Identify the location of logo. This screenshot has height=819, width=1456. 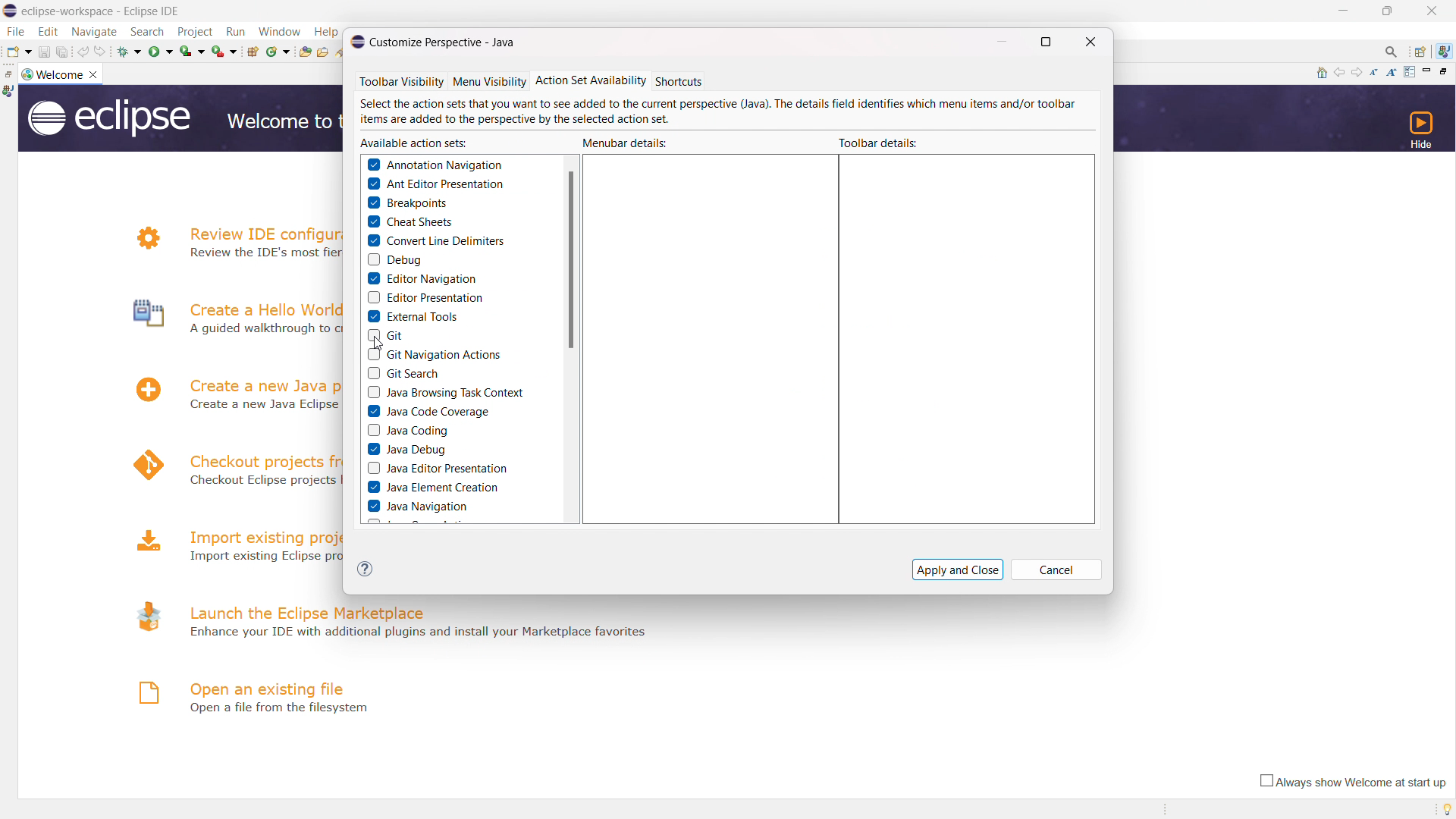
(26, 74).